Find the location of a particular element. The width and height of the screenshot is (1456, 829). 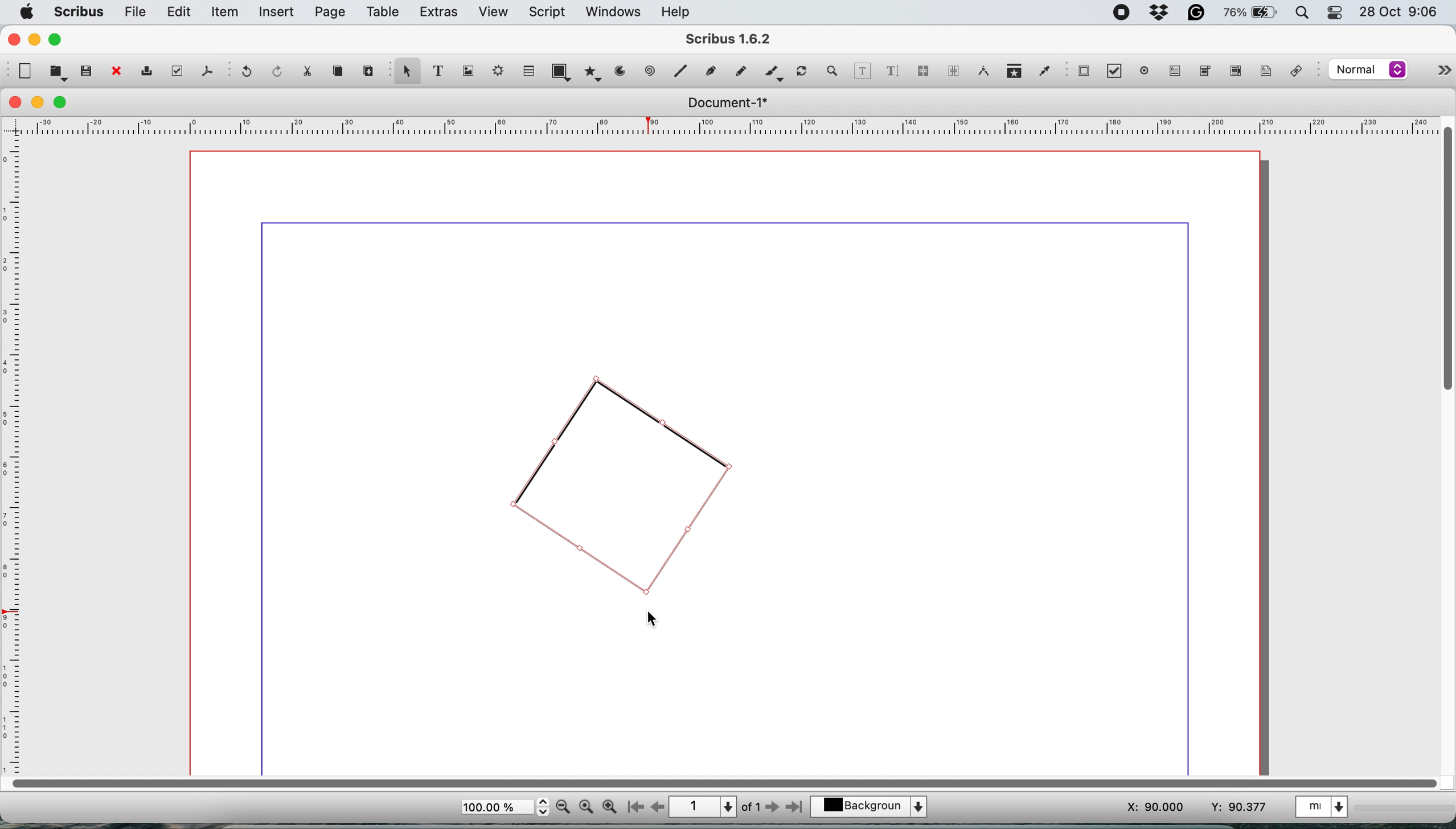

pdf list box is located at coordinates (1234, 72).